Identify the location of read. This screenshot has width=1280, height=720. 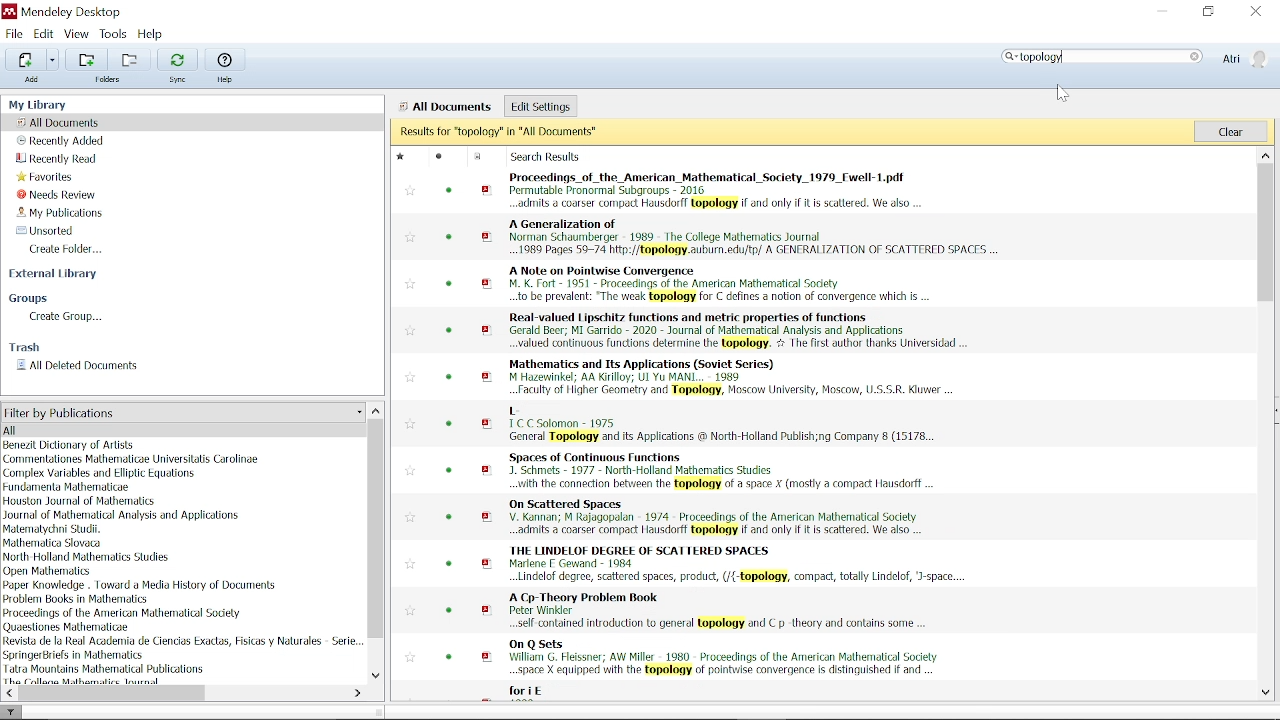
(450, 378).